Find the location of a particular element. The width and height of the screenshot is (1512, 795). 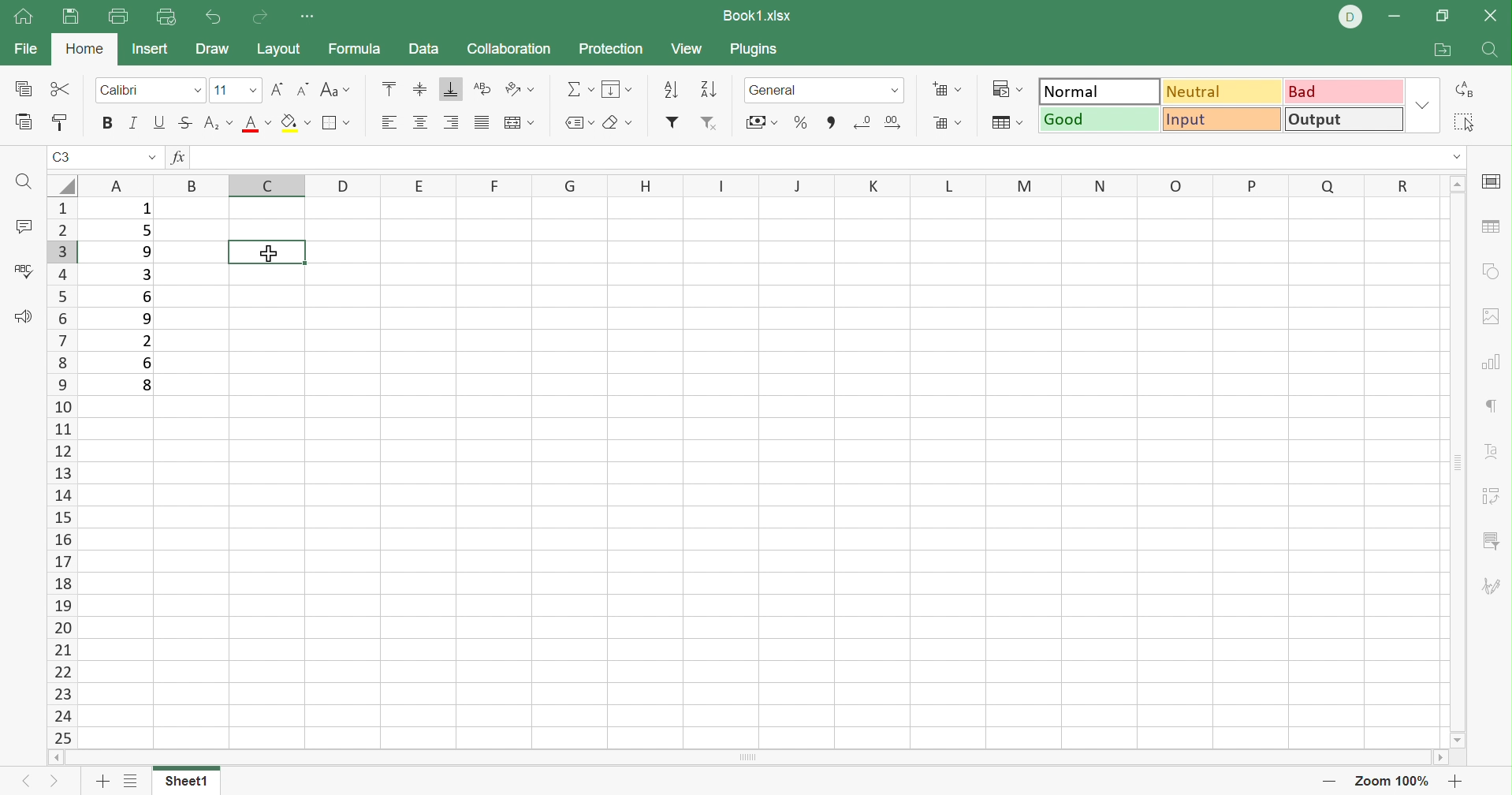

Fill is located at coordinates (616, 89).